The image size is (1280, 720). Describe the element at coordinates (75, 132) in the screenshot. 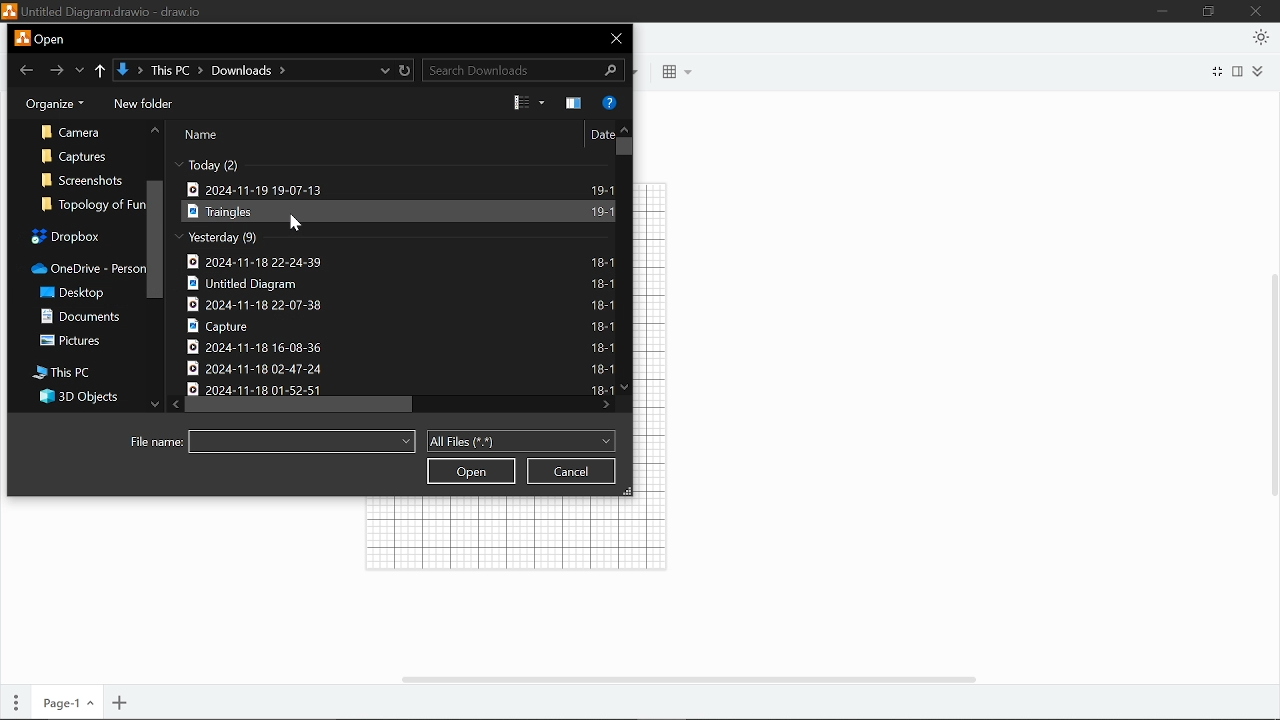

I see `Camera` at that location.